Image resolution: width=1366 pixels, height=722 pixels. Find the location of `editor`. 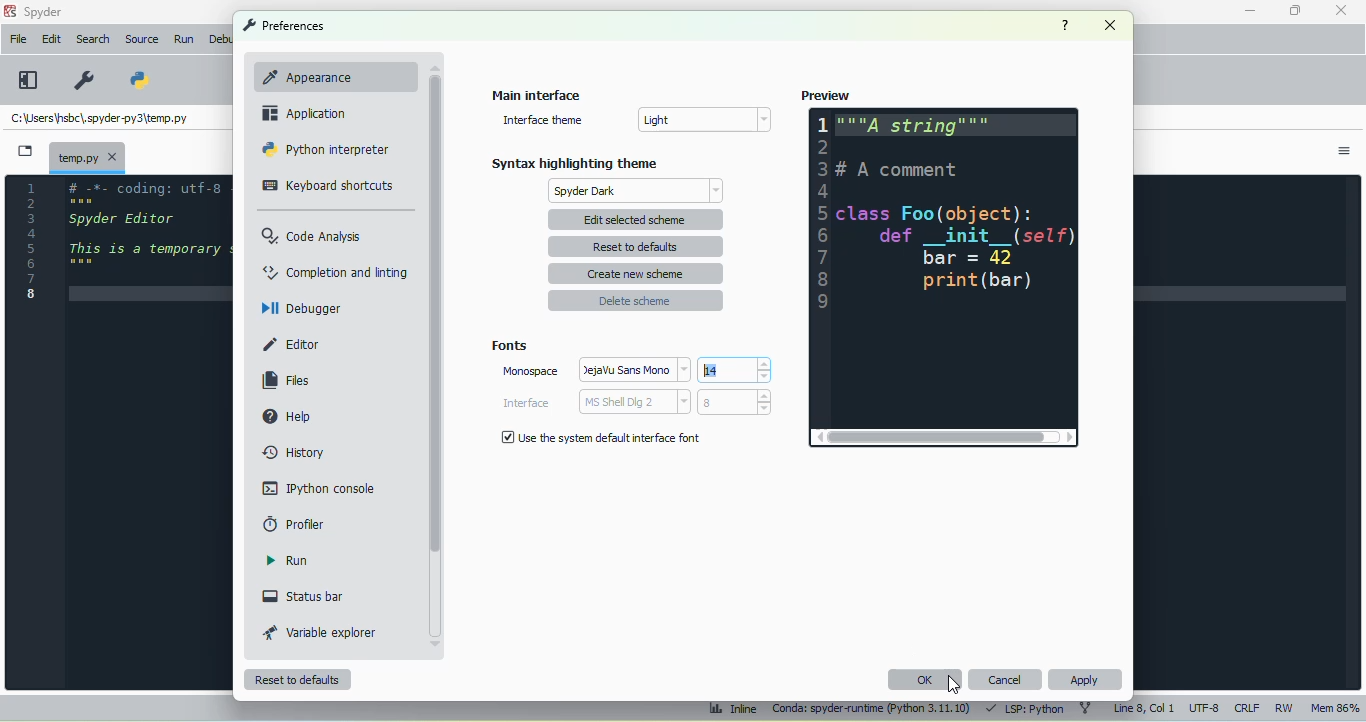

editor is located at coordinates (292, 345).